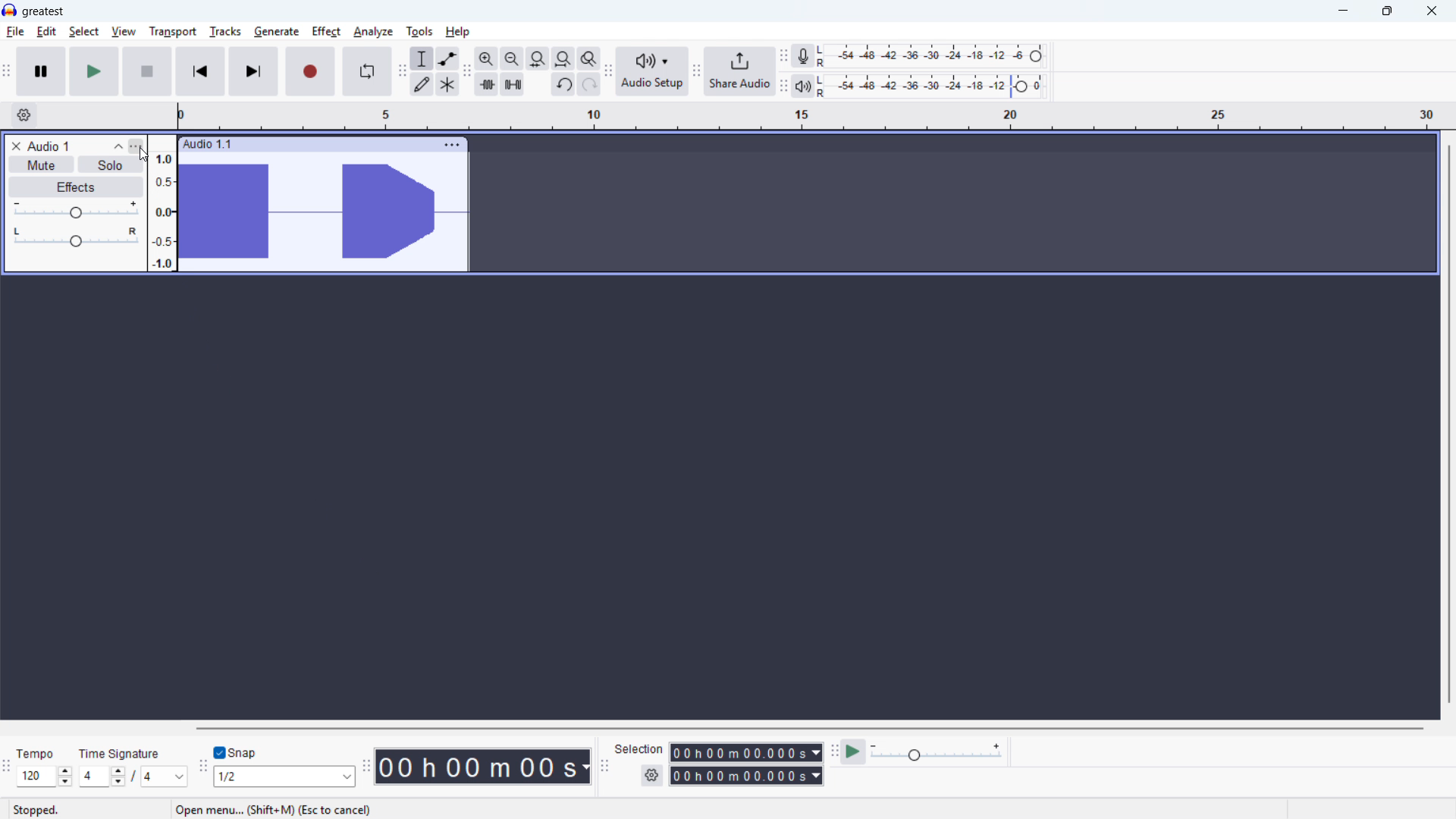 Image resolution: width=1456 pixels, height=819 pixels. What do you see at coordinates (203, 770) in the screenshot?
I see `Snapping toolbar ` at bounding box center [203, 770].